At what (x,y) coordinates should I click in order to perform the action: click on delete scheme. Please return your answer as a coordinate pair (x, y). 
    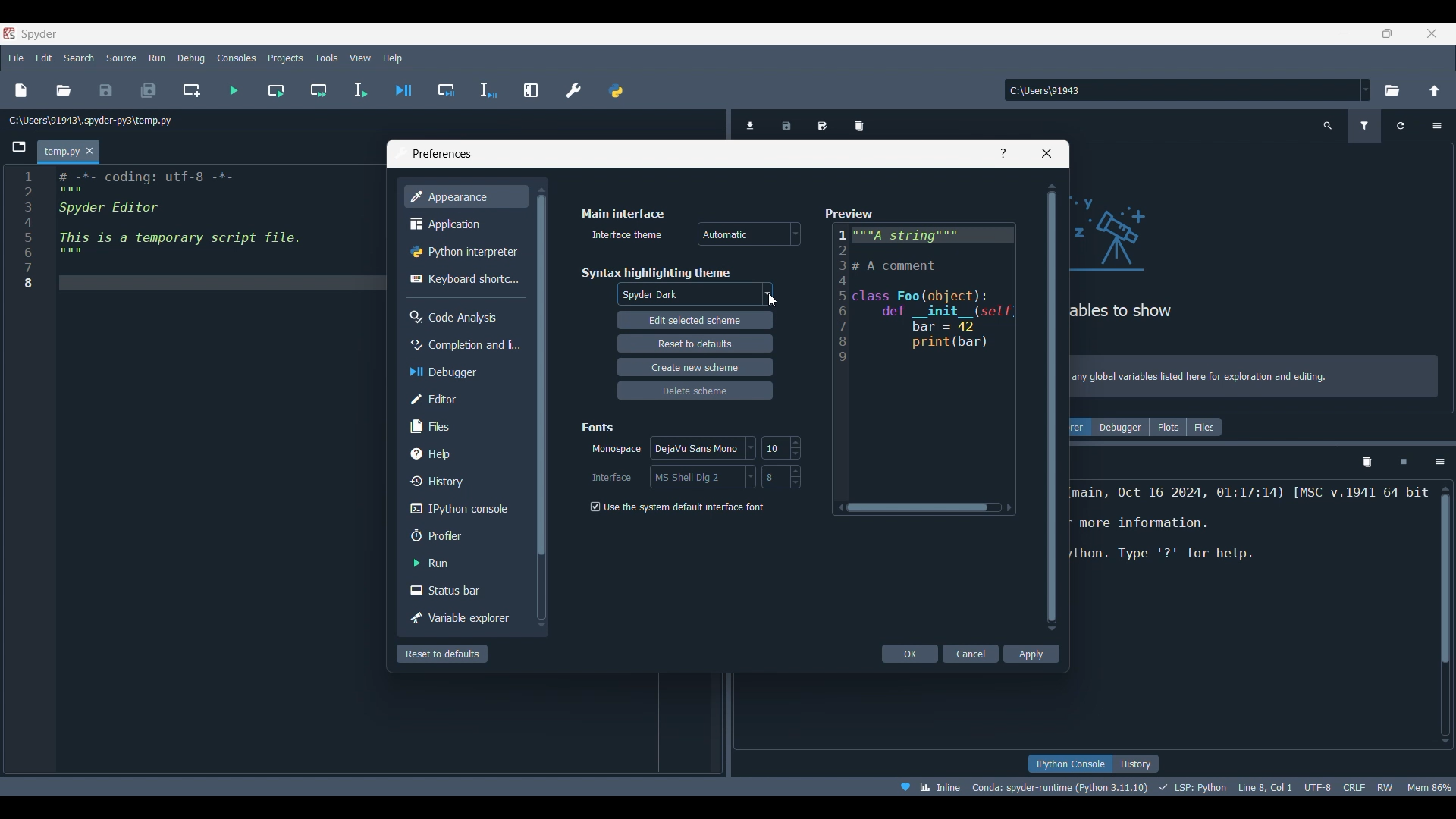
    Looking at the image, I should click on (698, 390).